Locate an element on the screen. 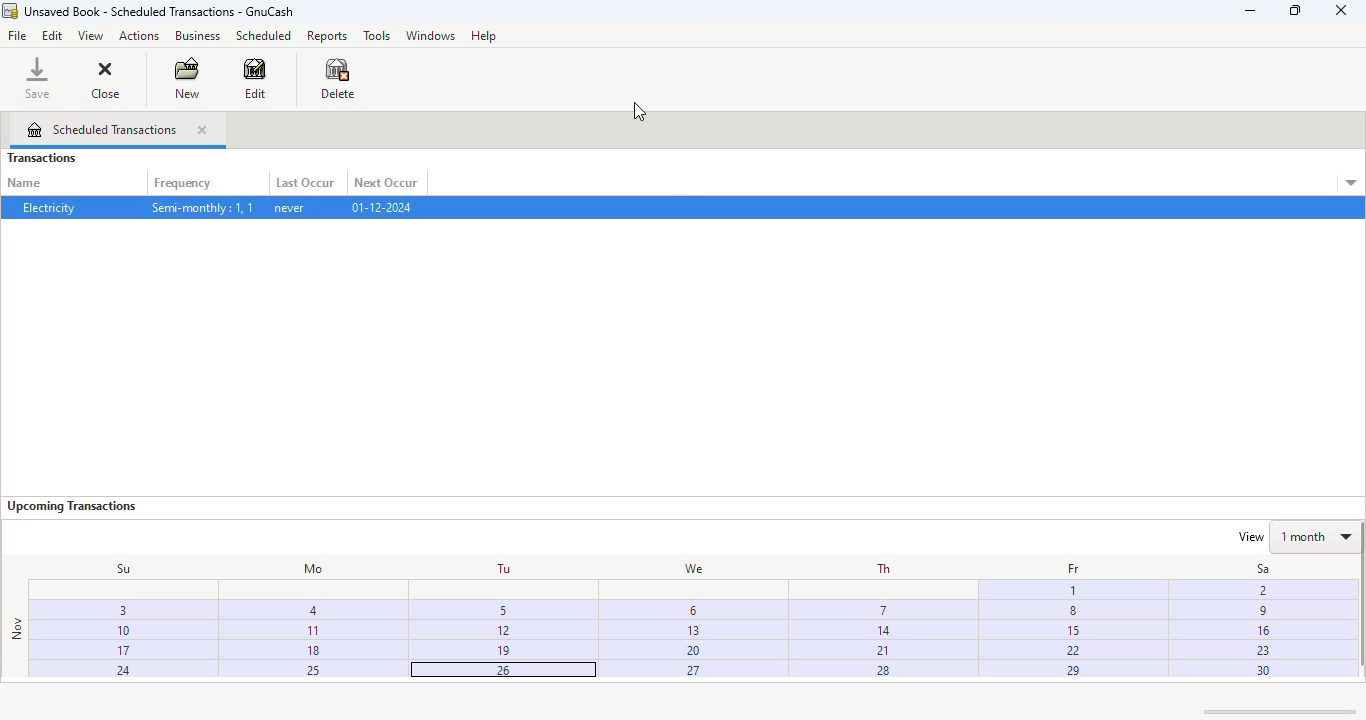 The height and width of the screenshot is (720, 1366). 19 is located at coordinates (506, 651).